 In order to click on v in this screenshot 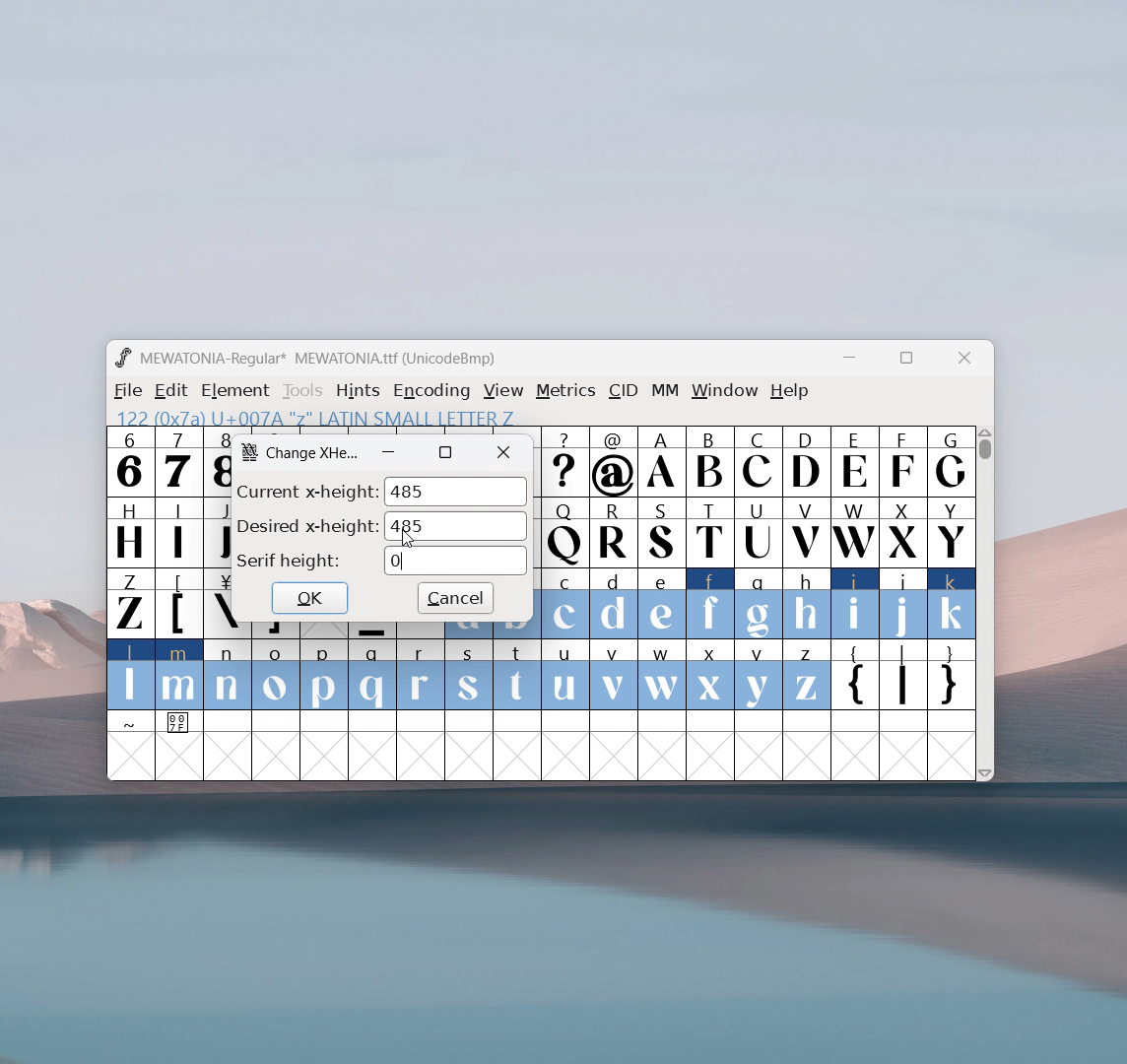, I will do `click(613, 674)`.